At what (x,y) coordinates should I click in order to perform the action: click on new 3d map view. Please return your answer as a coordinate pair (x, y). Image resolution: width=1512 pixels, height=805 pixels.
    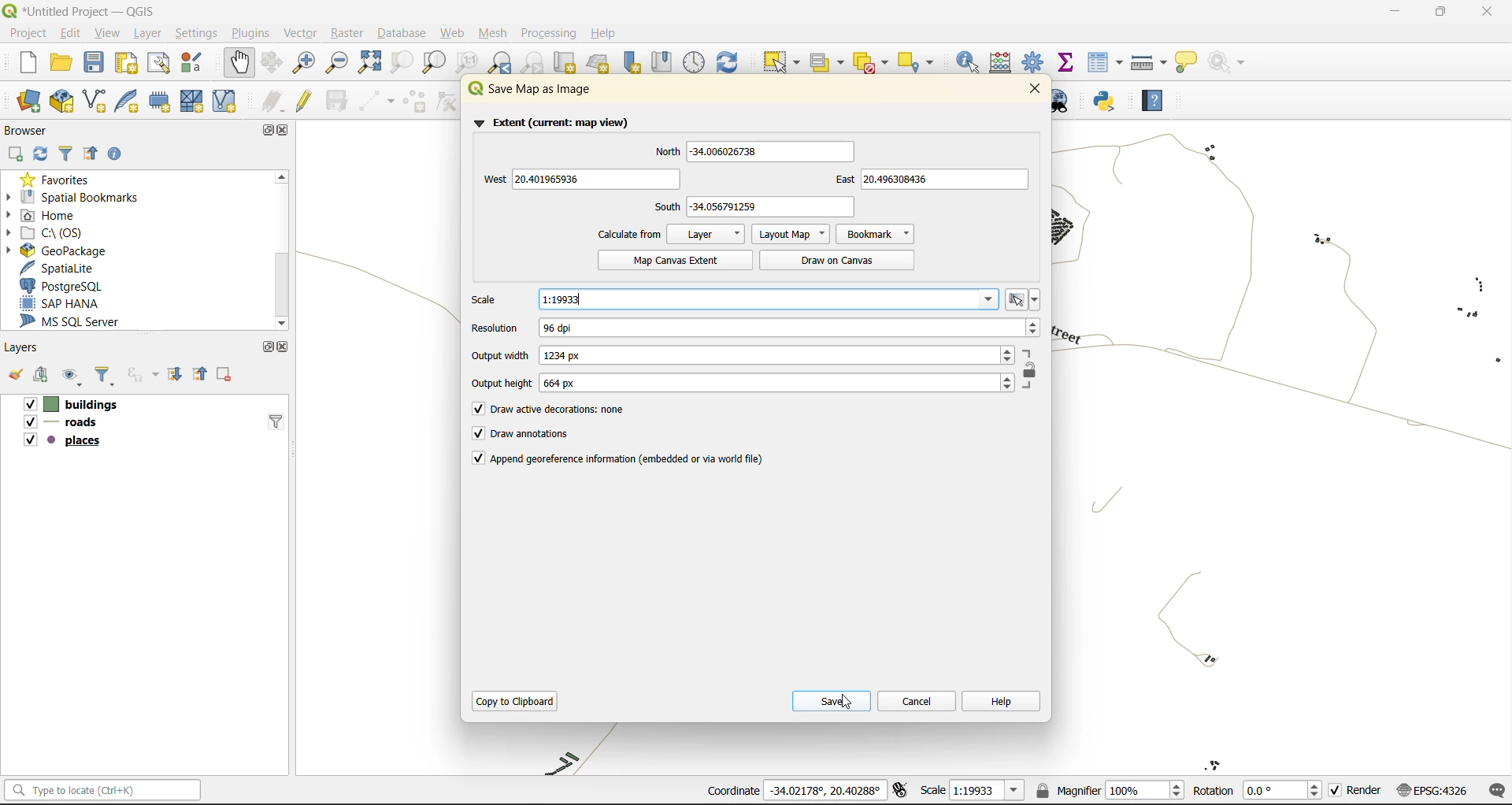
    Looking at the image, I should click on (598, 61).